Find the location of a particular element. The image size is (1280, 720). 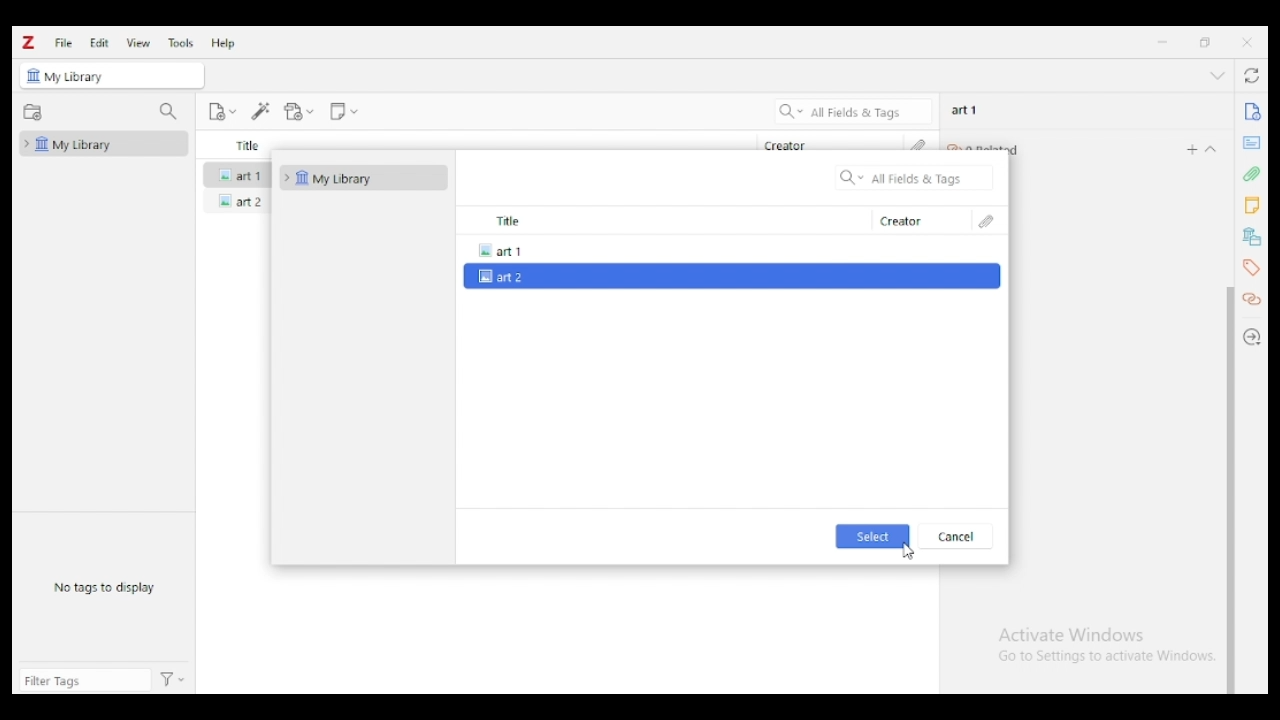

info is located at coordinates (1251, 112).